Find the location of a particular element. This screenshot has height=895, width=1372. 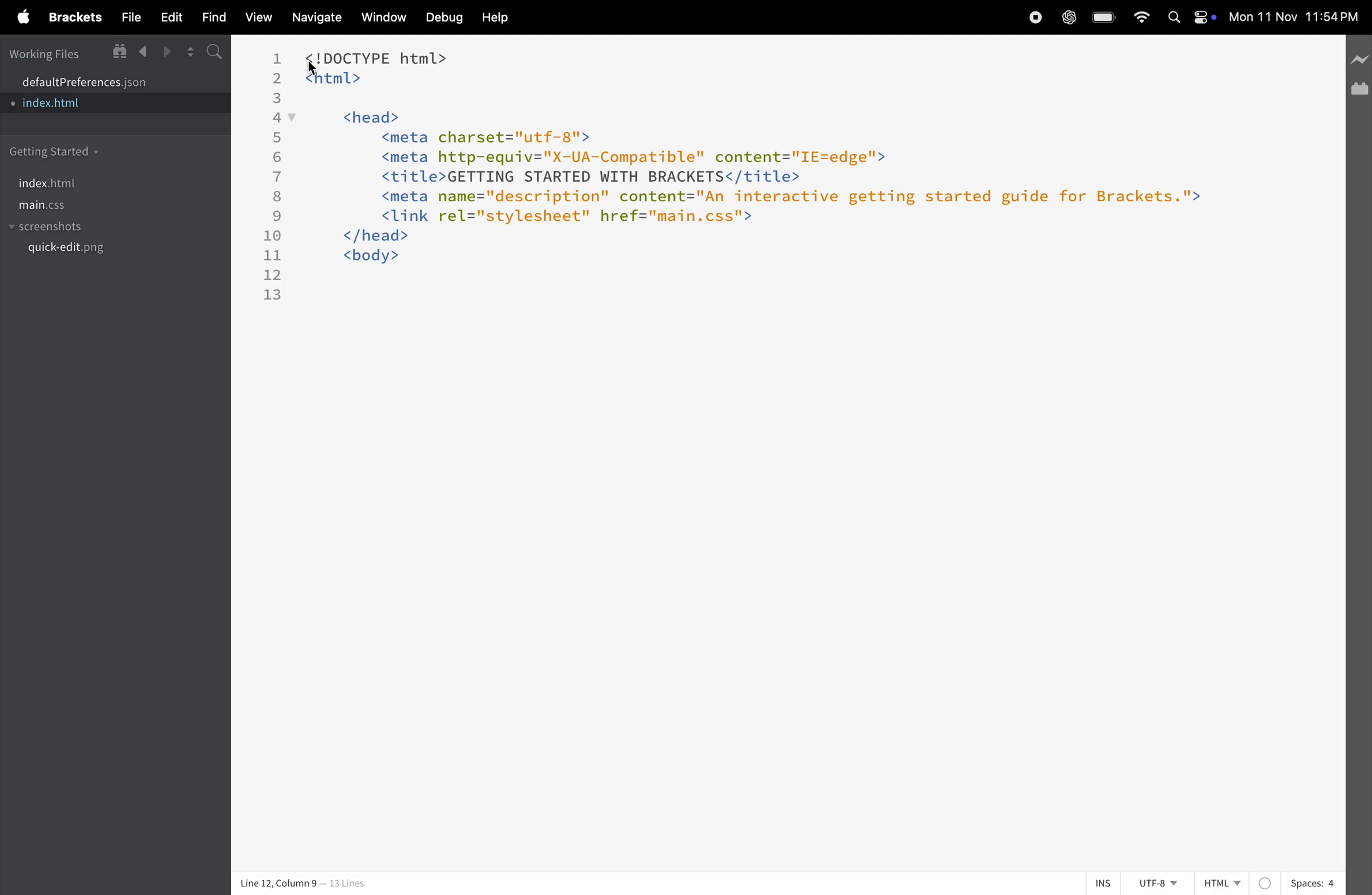

10 is located at coordinates (273, 236).